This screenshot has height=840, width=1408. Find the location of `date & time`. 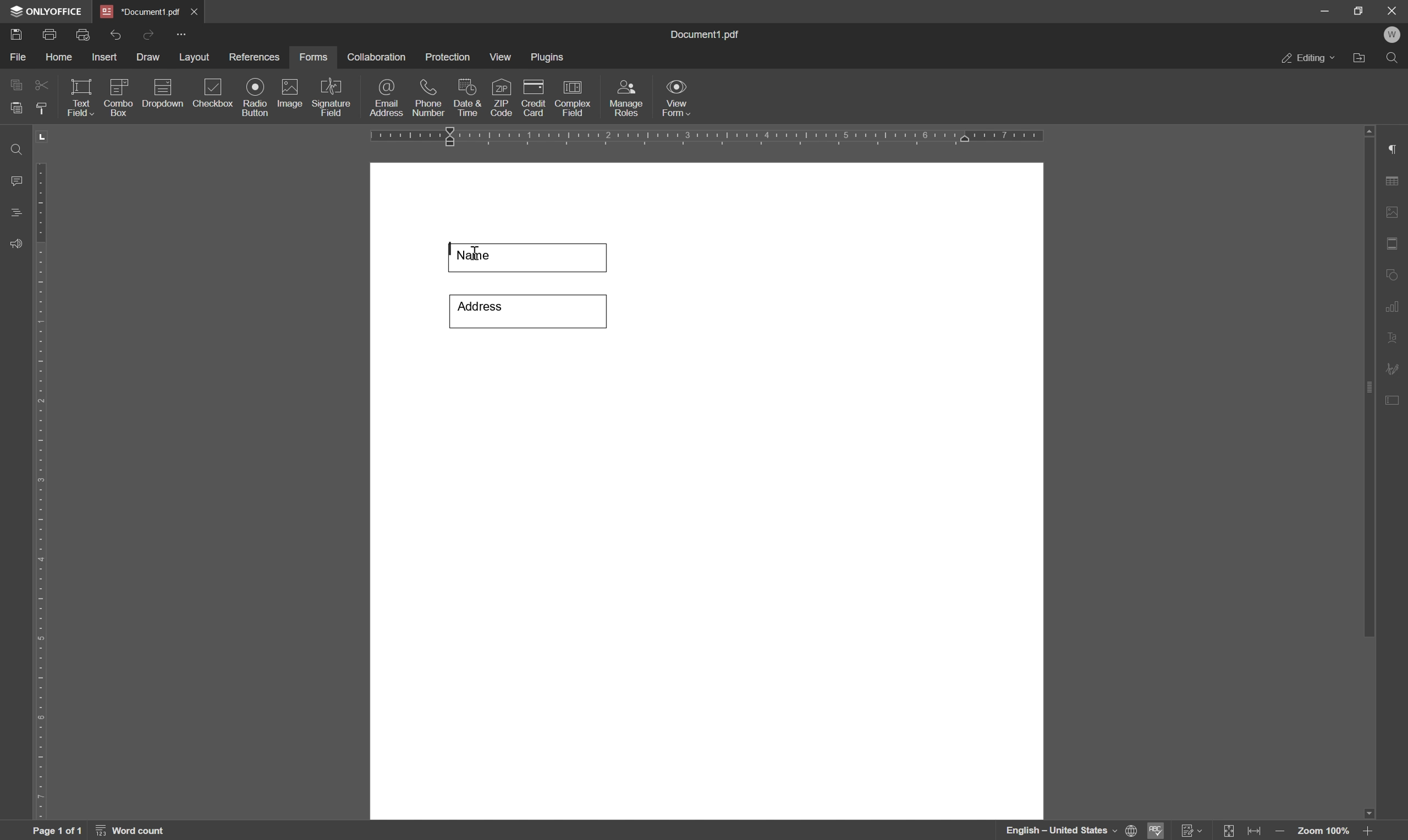

date & time is located at coordinates (467, 96).